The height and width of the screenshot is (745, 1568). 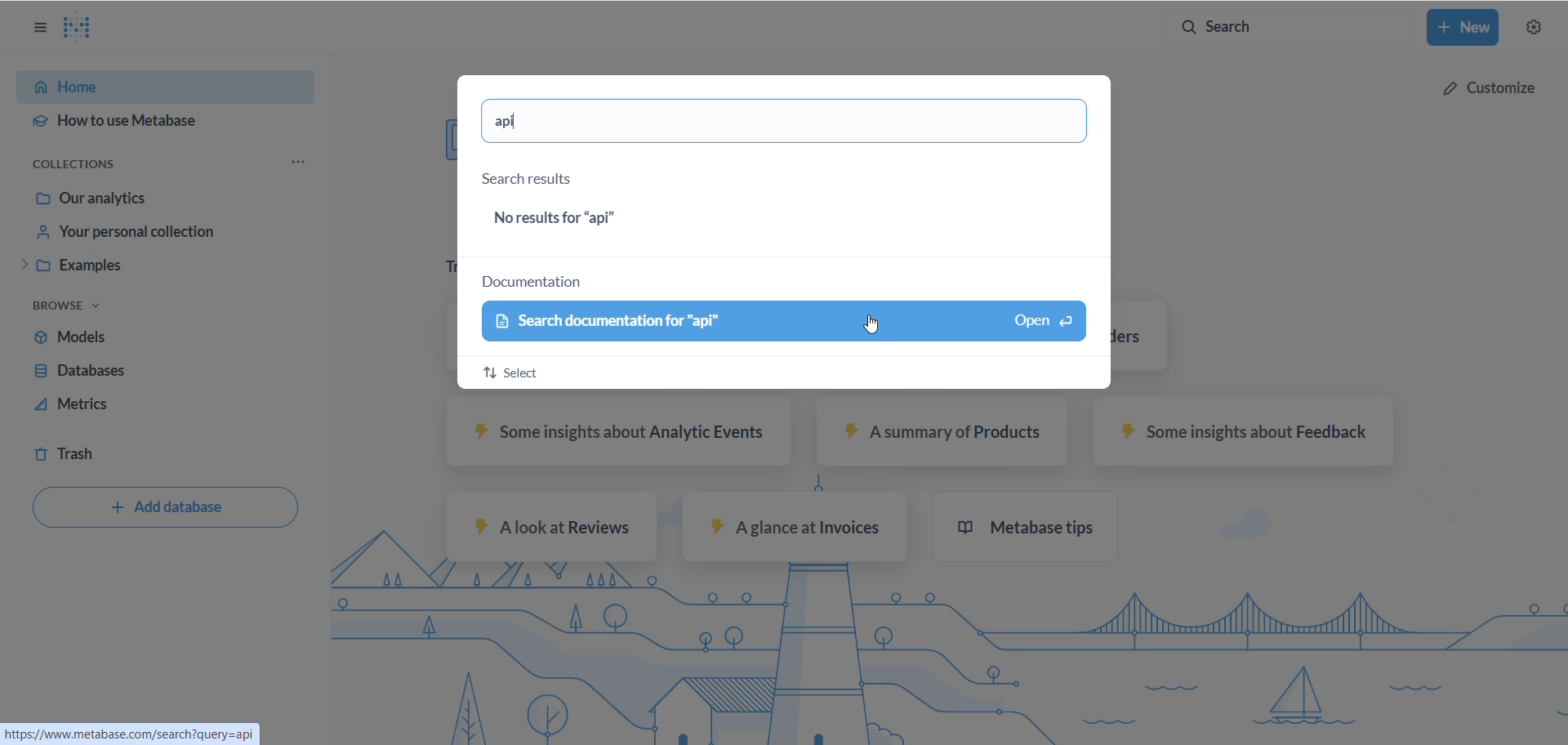 What do you see at coordinates (797, 528) in the screenshot?
I see `A glance at invoices sample` at bounding box center [797, 528].